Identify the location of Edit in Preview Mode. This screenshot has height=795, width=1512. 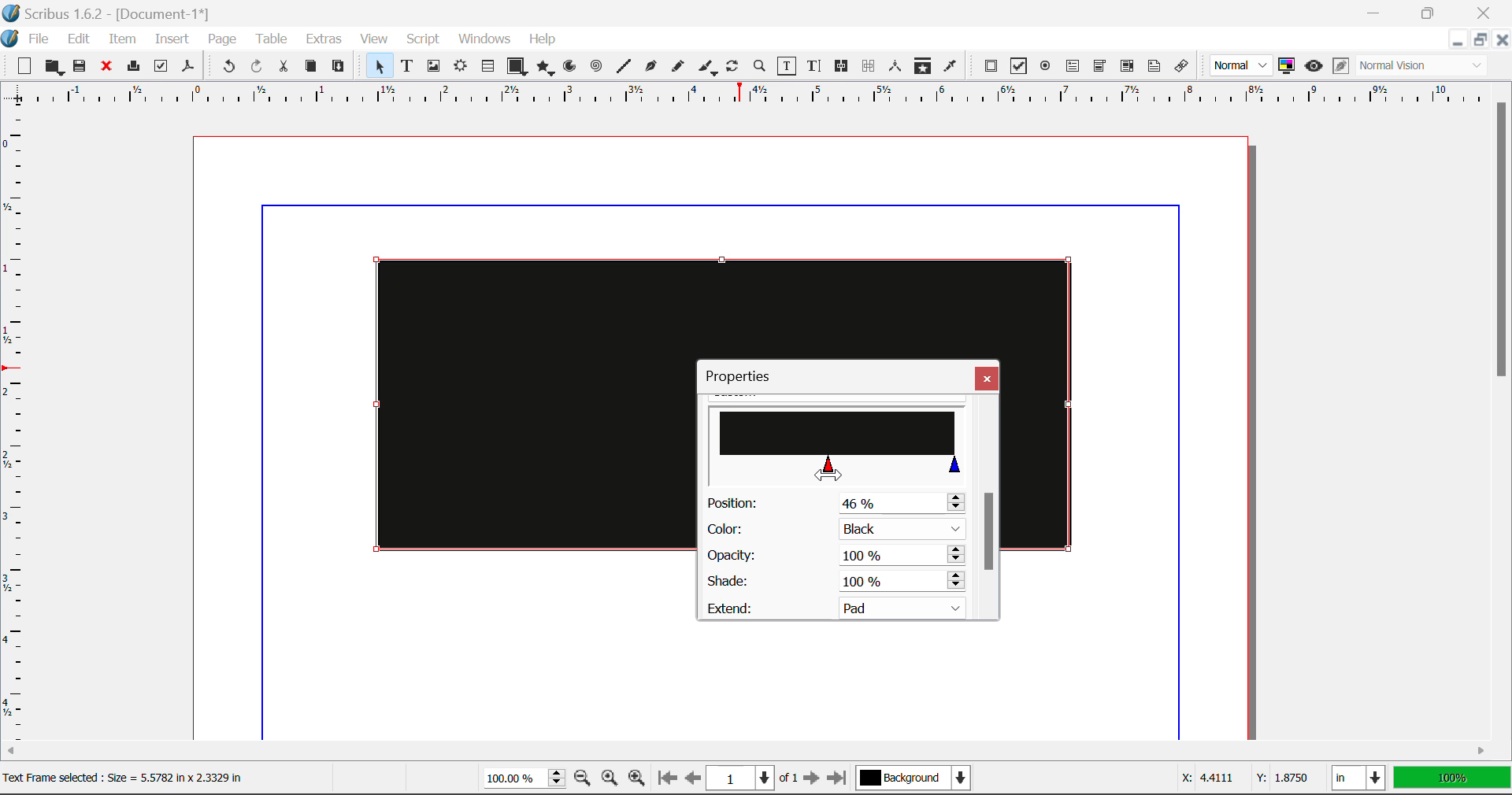
(1341, 66).